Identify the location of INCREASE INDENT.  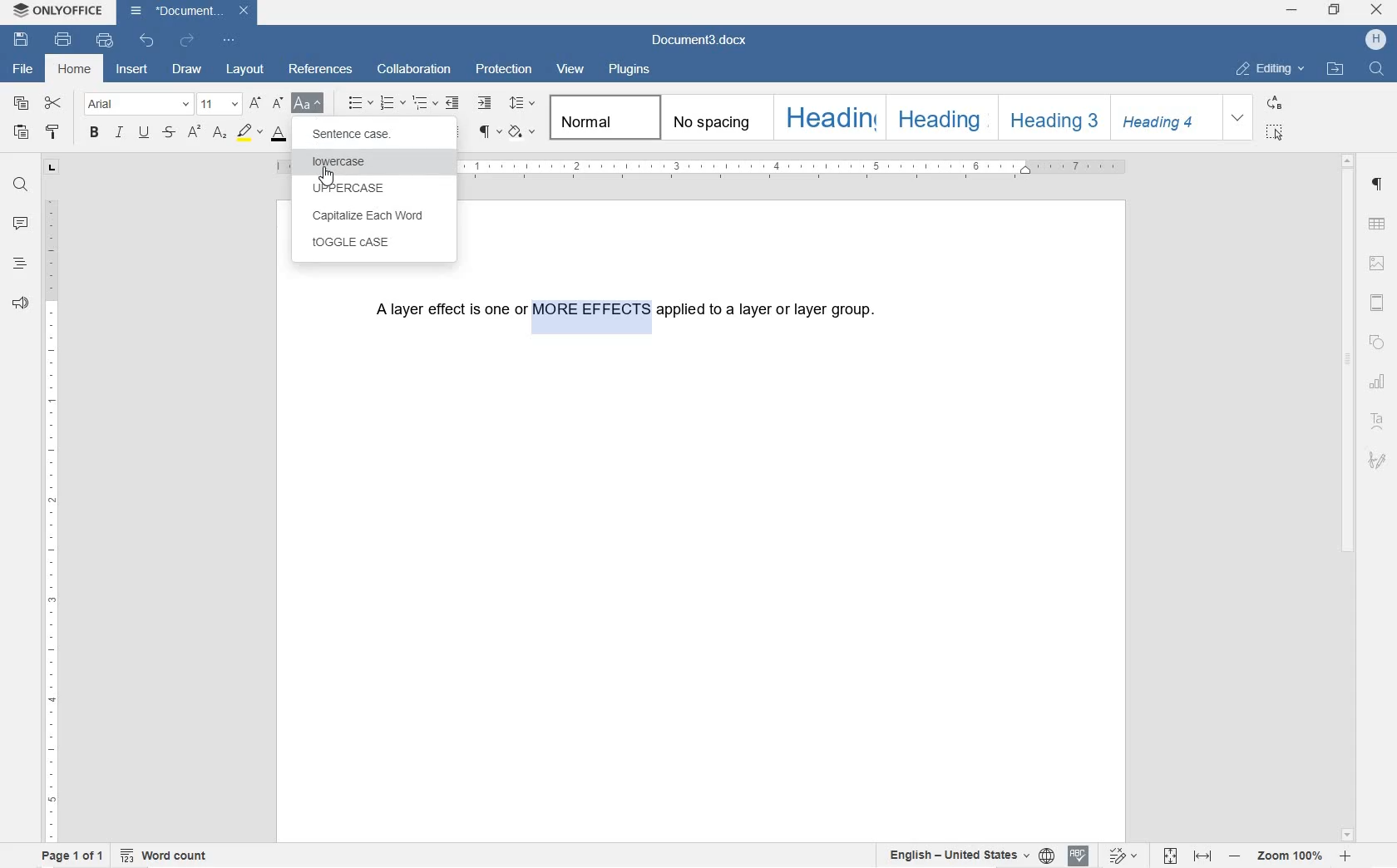
(486, 104).